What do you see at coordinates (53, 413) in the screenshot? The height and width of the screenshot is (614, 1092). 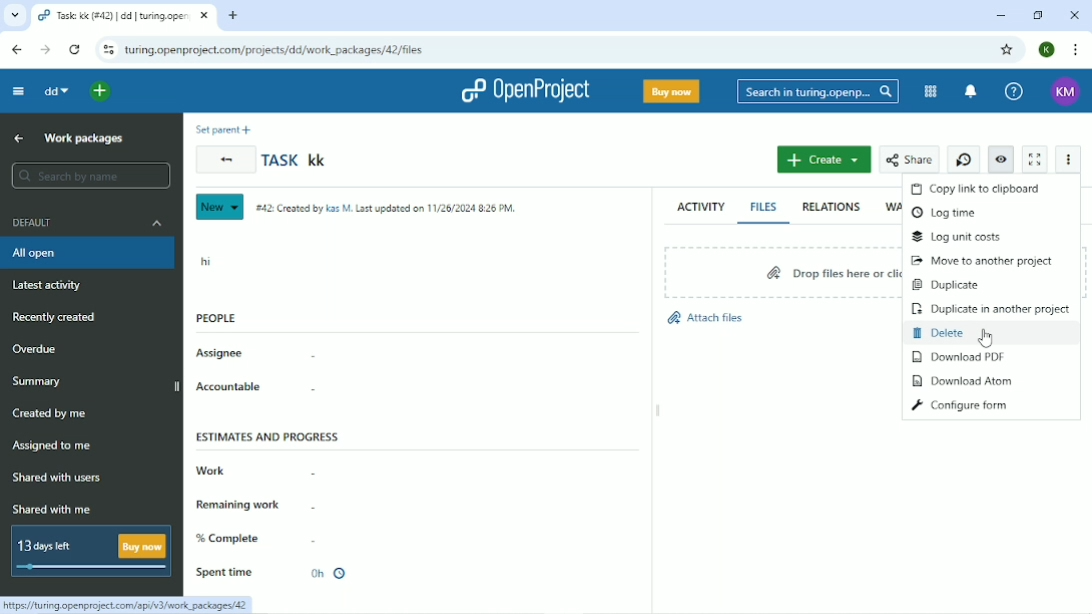 I see `Created by me` at bounding box center [53, 413].